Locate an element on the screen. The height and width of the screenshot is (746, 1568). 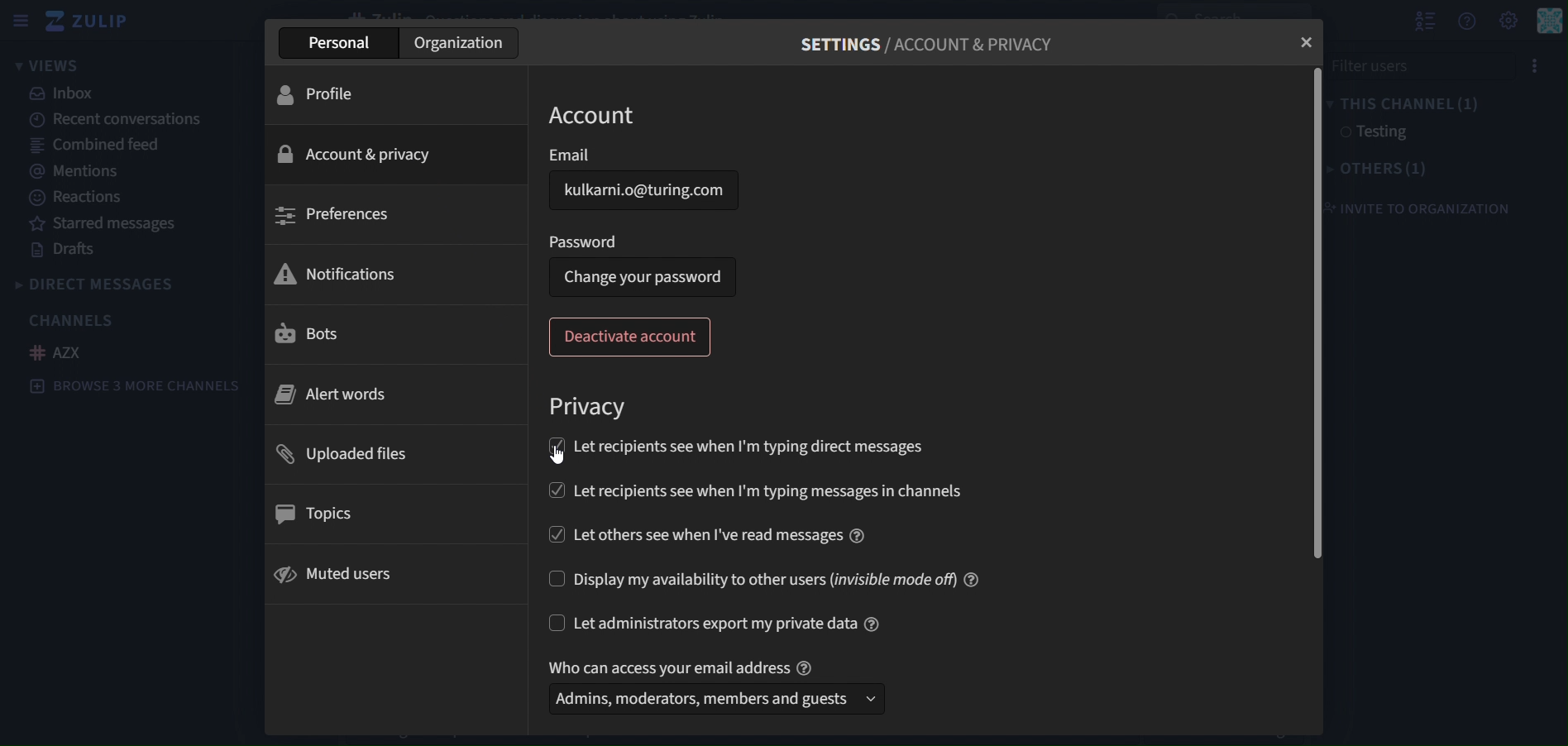
drafts is located at coordinates (64, 250).